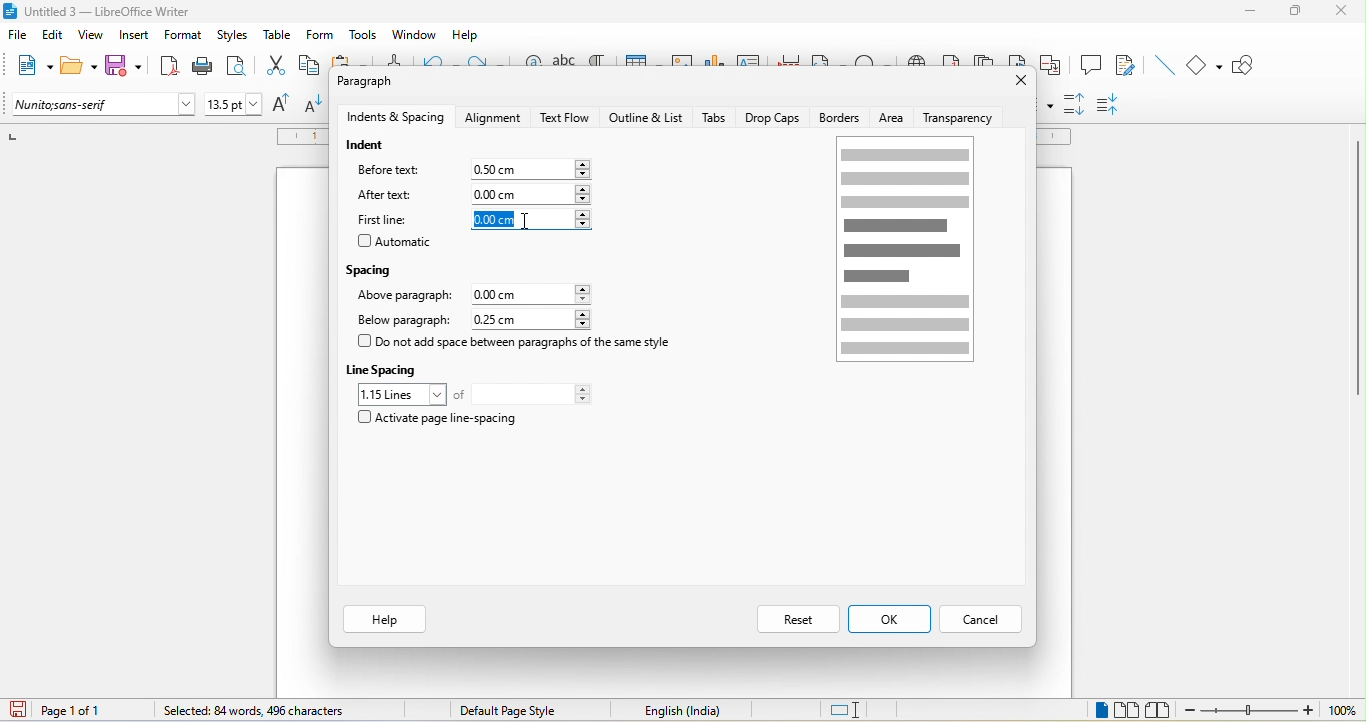  What do you see at coordinates (183, 37) in the screenshot?
I see `format` at bounding box center [183, 37].